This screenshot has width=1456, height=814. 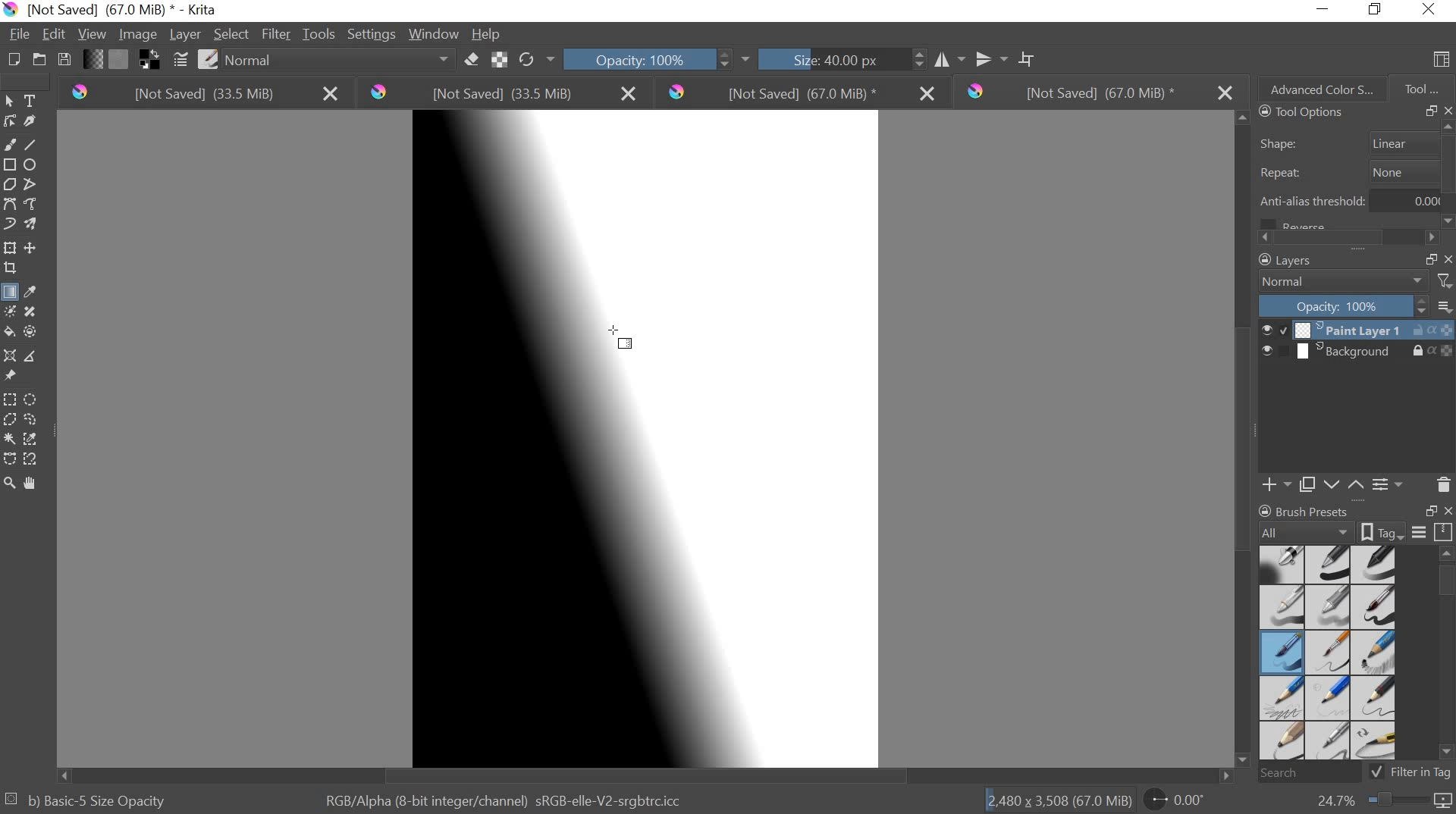 I want to click on repeat none, so click(x=1348, y=173).